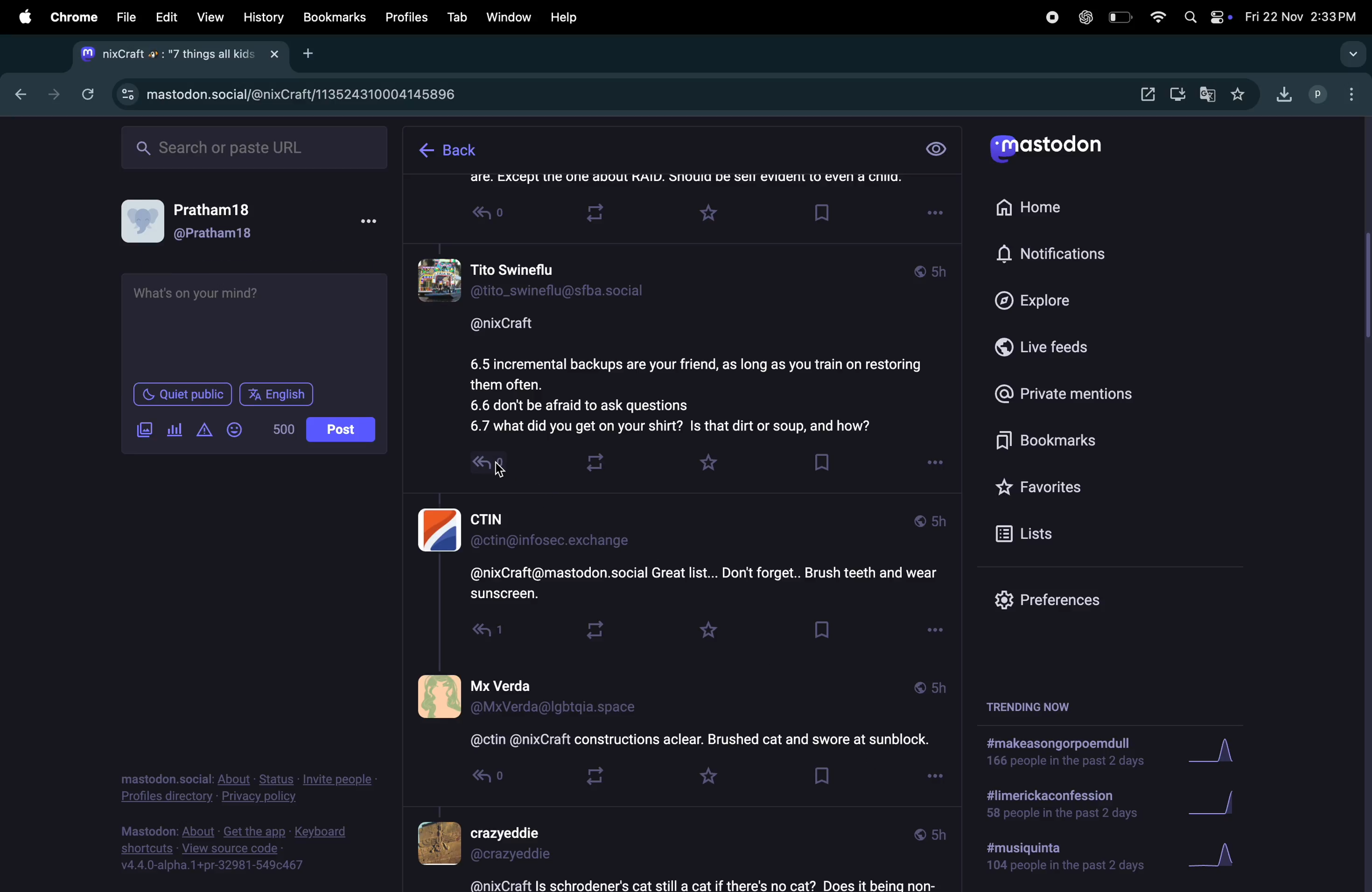  Describe the element at coordinates (591, 776) in the screenshot. I see `loop` at that location.